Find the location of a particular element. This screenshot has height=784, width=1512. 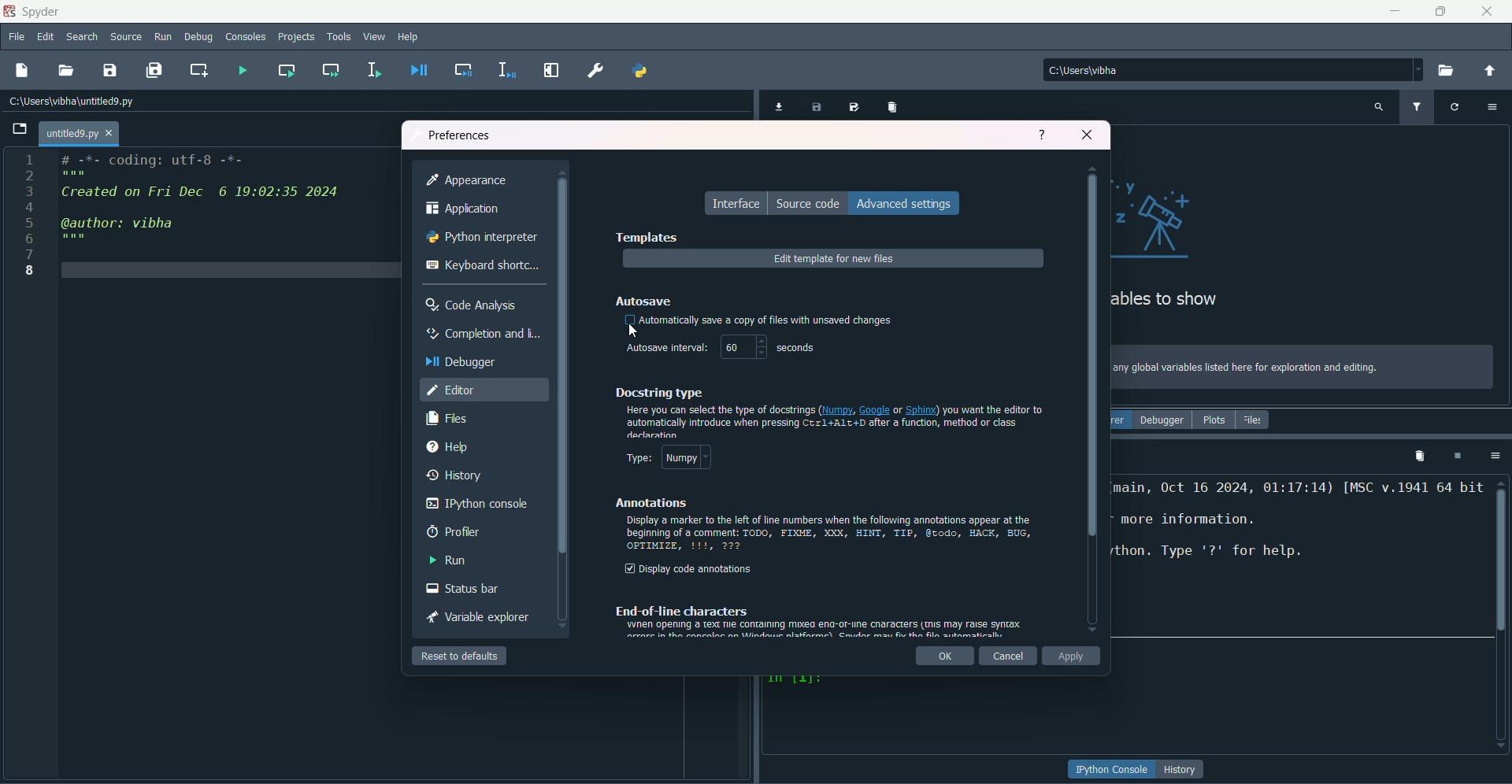

debug is located at coordinates (199, 38).